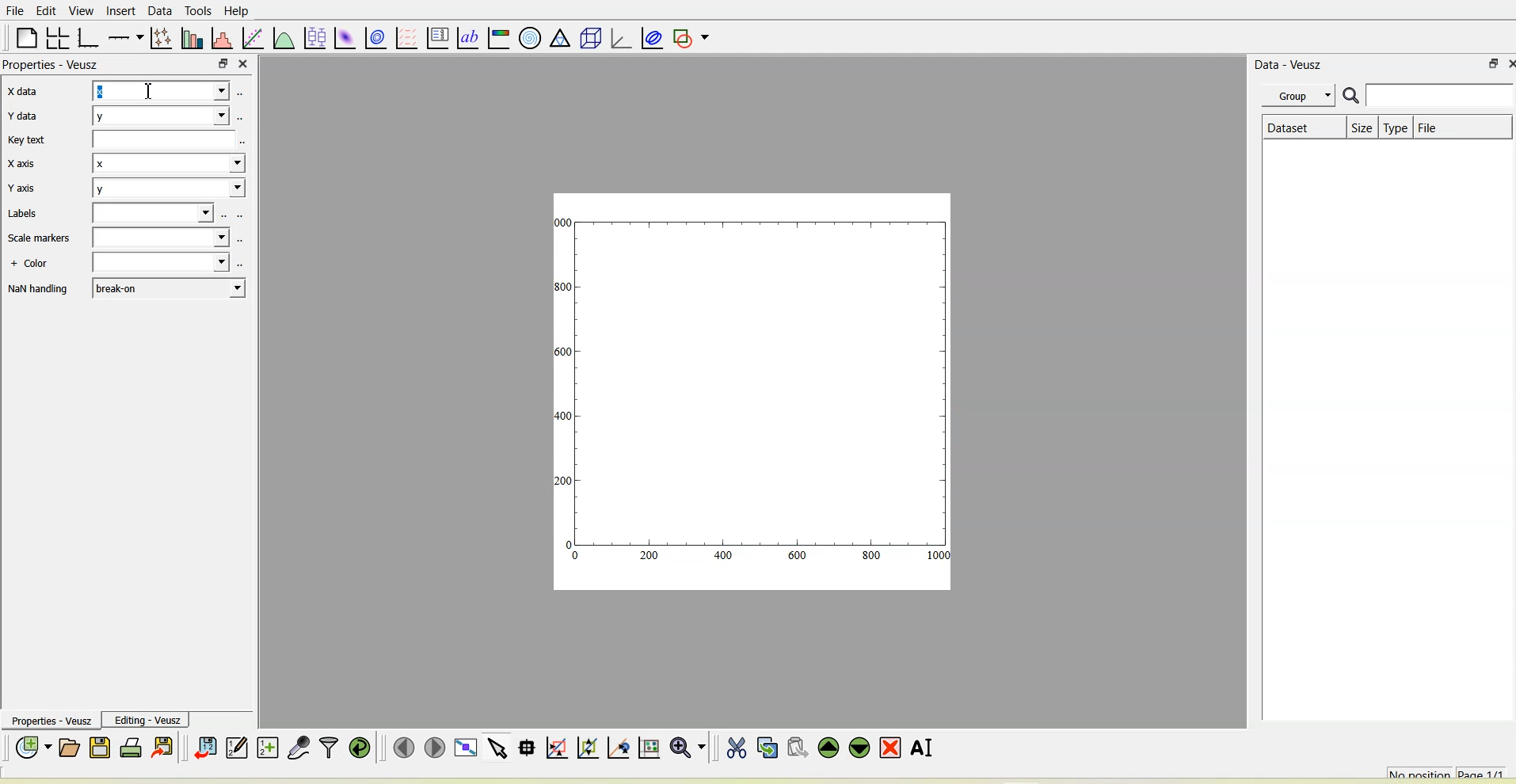 This screenshot has width=1516, height=784. I want to click on Type, so click(1396, 127).